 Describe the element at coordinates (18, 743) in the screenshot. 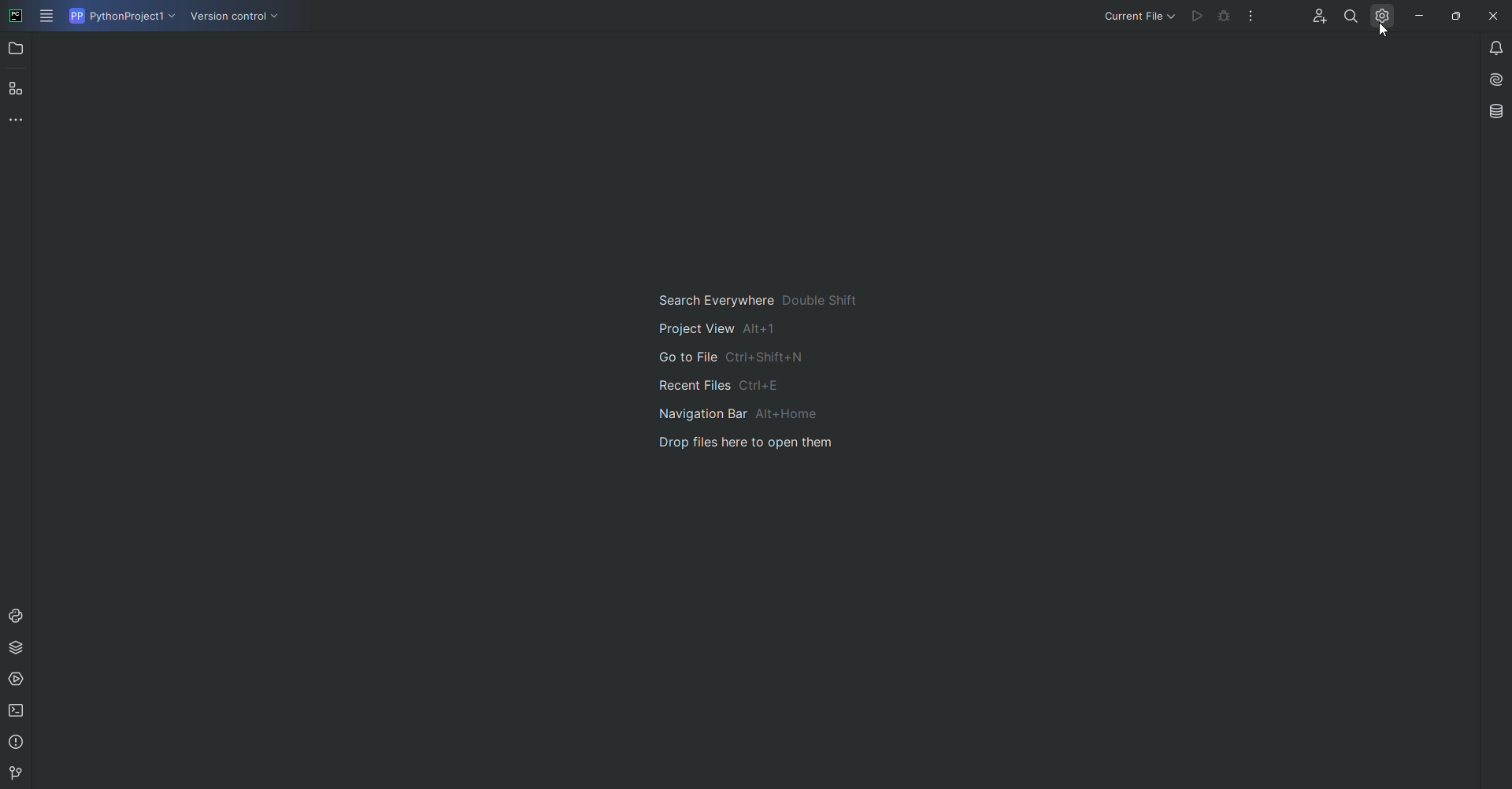

I see `Problems` at that location.